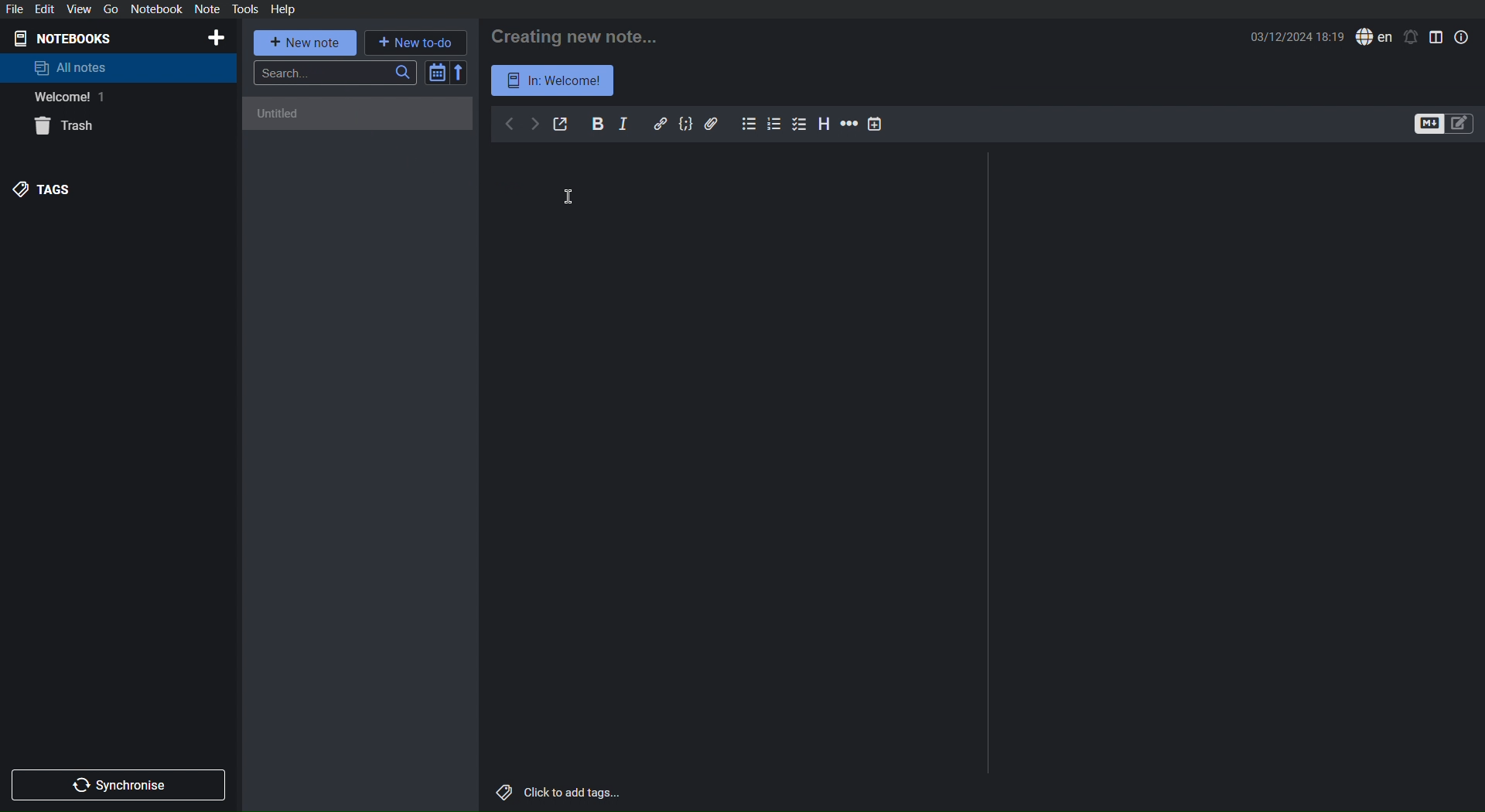 Image resolution: width=1485 pixels, height=812 pixels. I want to click on Date and Time, so click(1299, 36).